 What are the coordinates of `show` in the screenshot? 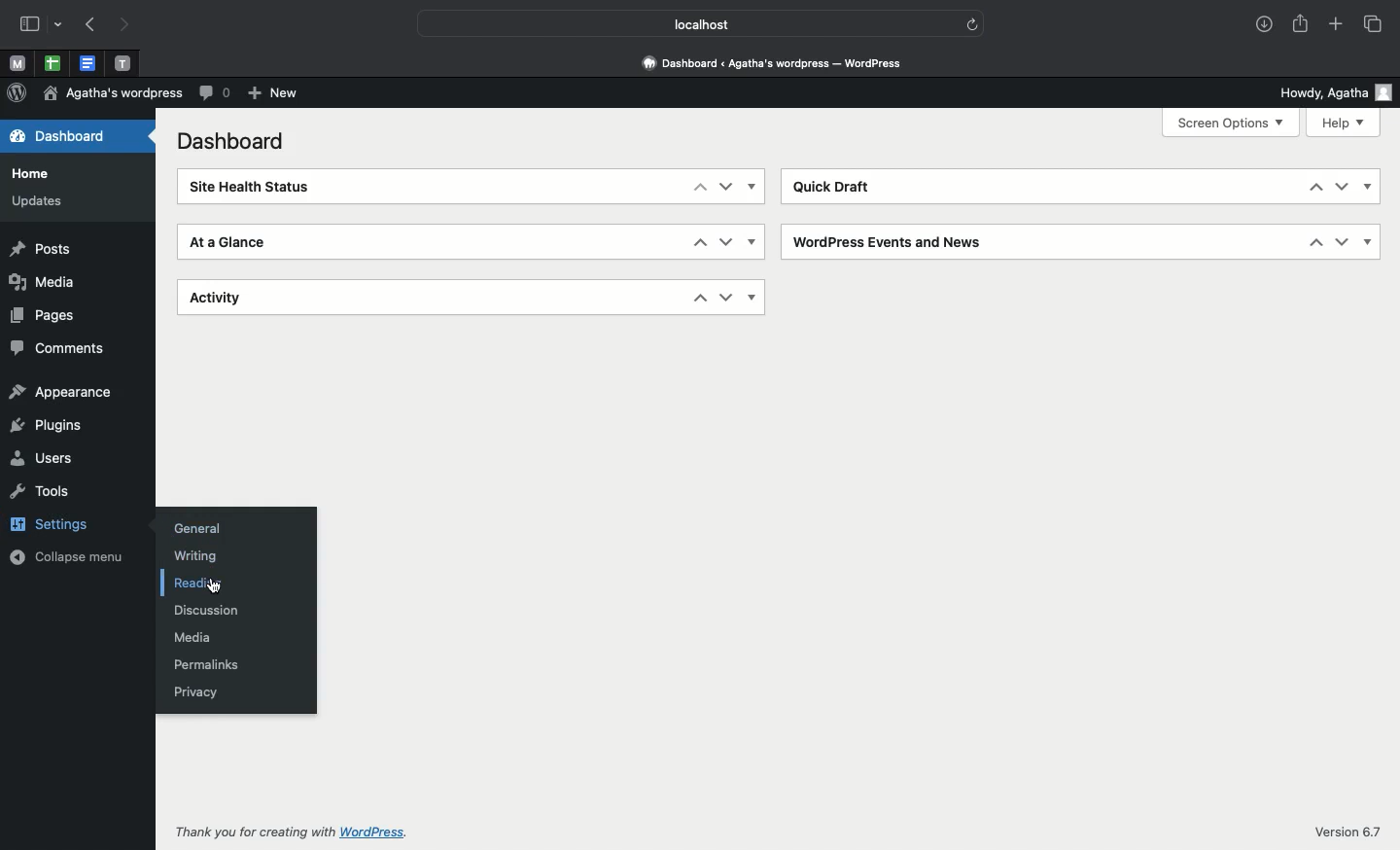 It's located at (755, 185).